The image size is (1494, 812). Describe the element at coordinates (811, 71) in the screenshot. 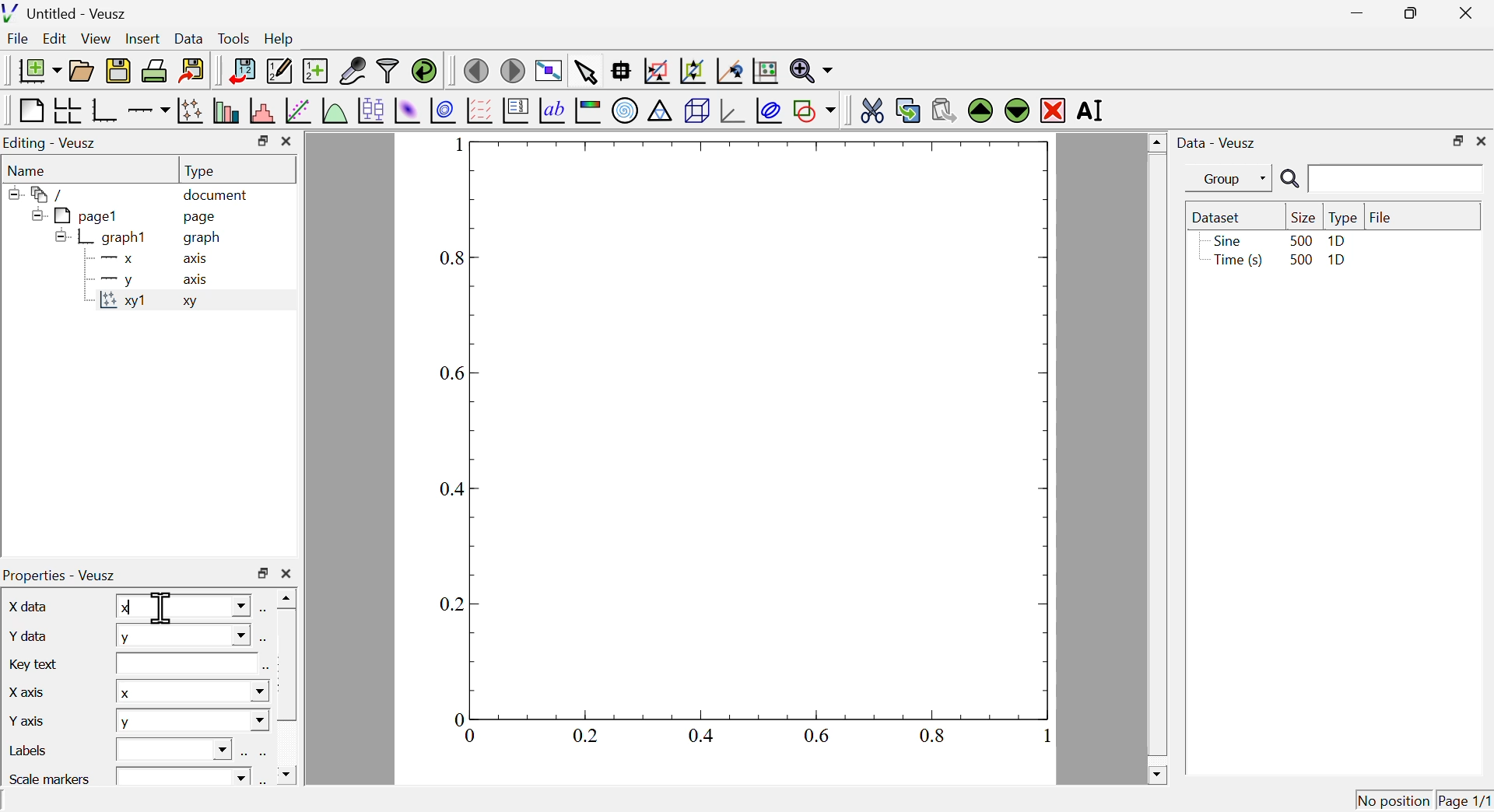

I see `zoom functions` at that location.